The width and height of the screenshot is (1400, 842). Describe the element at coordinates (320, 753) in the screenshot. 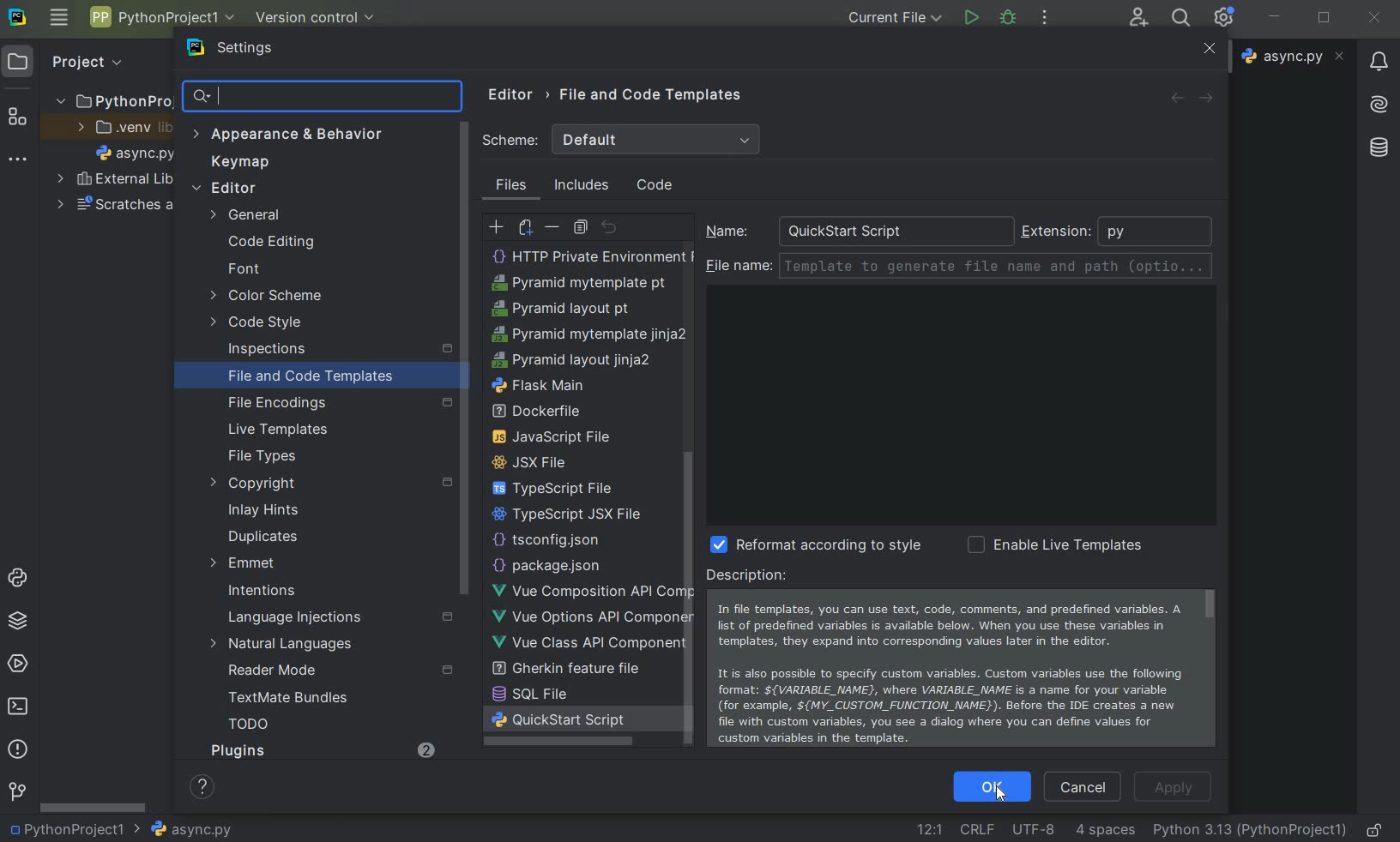

I see `Plugins` at that location.